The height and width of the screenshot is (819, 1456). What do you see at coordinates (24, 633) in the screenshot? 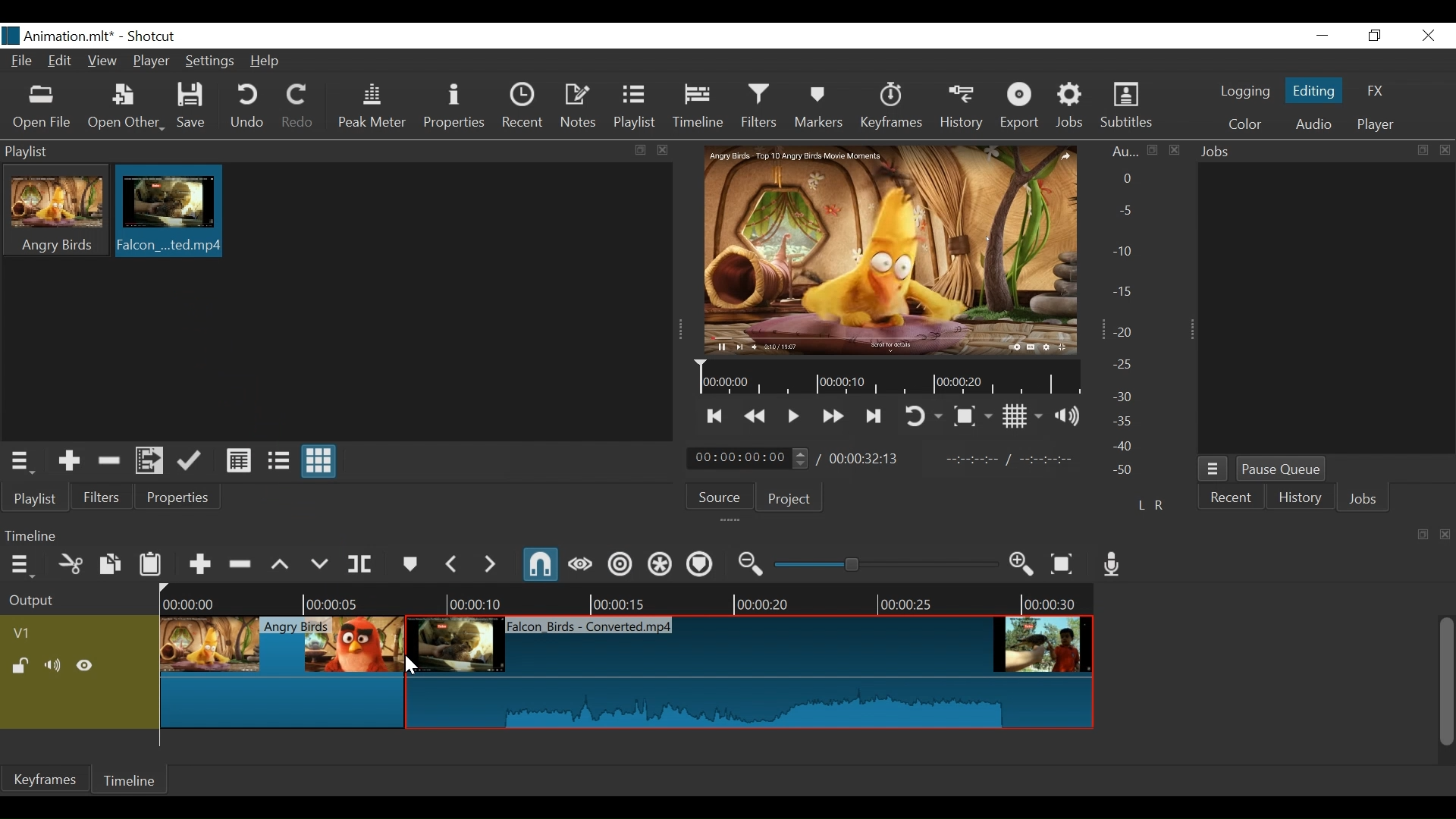
I see `Track Header` at bounding box center [24, 633].